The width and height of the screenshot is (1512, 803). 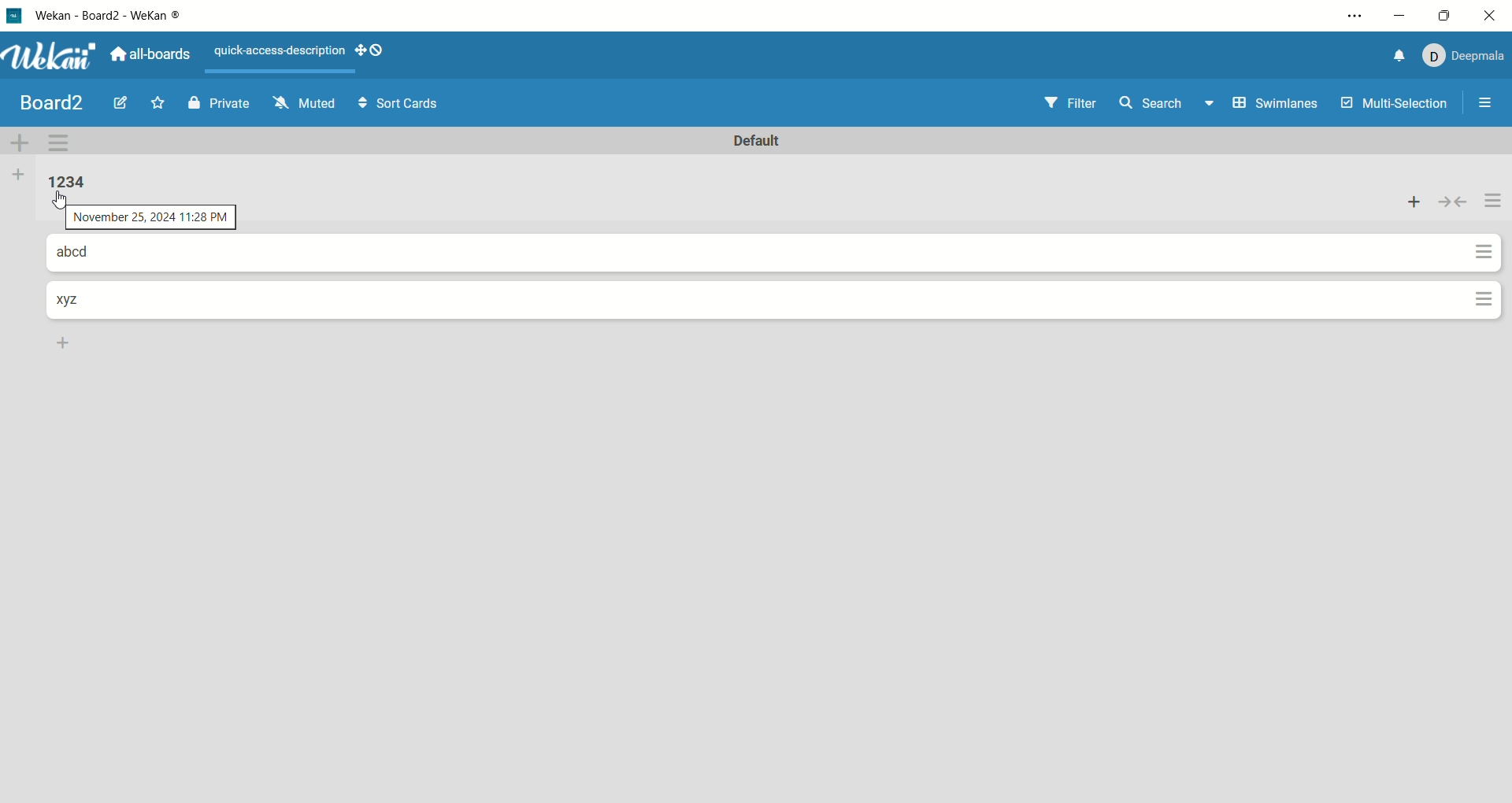 What do you see at coordinates (53, 102) in the screenshot?
I see `title` at bounding box center [53, 102].